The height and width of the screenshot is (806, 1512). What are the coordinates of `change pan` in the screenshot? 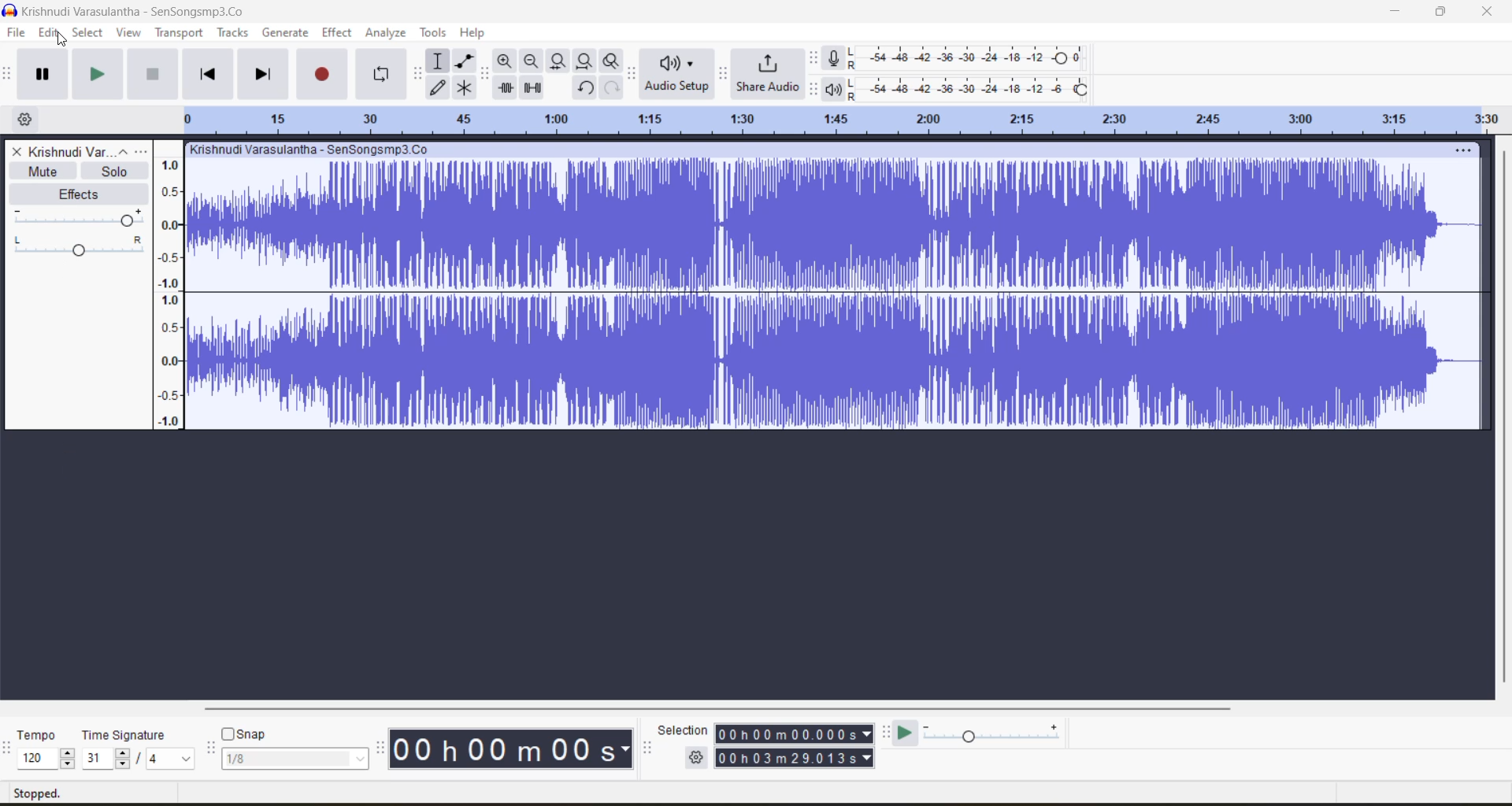 It's located at (82, 254).